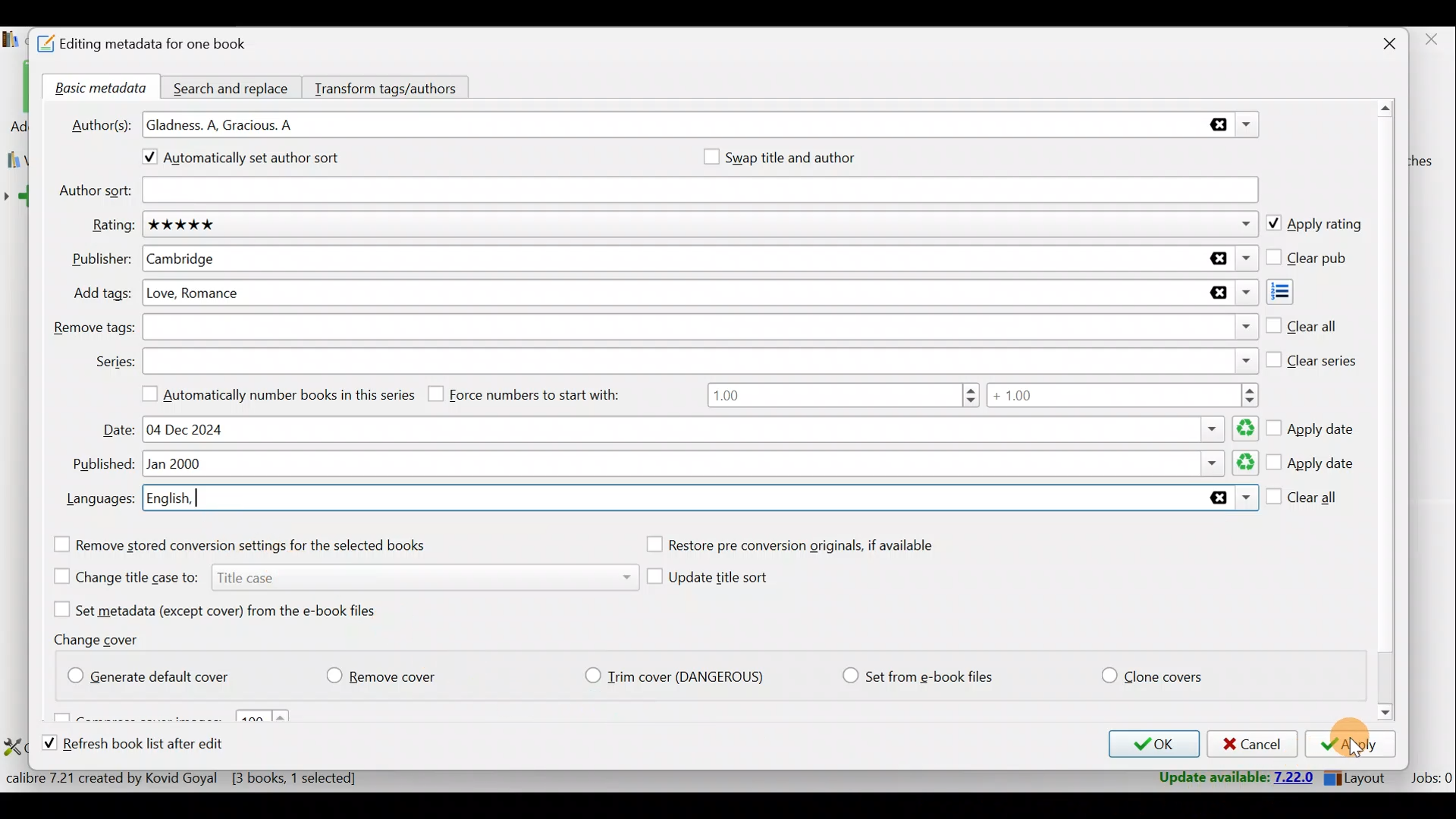 The height and width of the screenshot is (819, 1456). I want to click on Generate default cover, so click(156, 673).